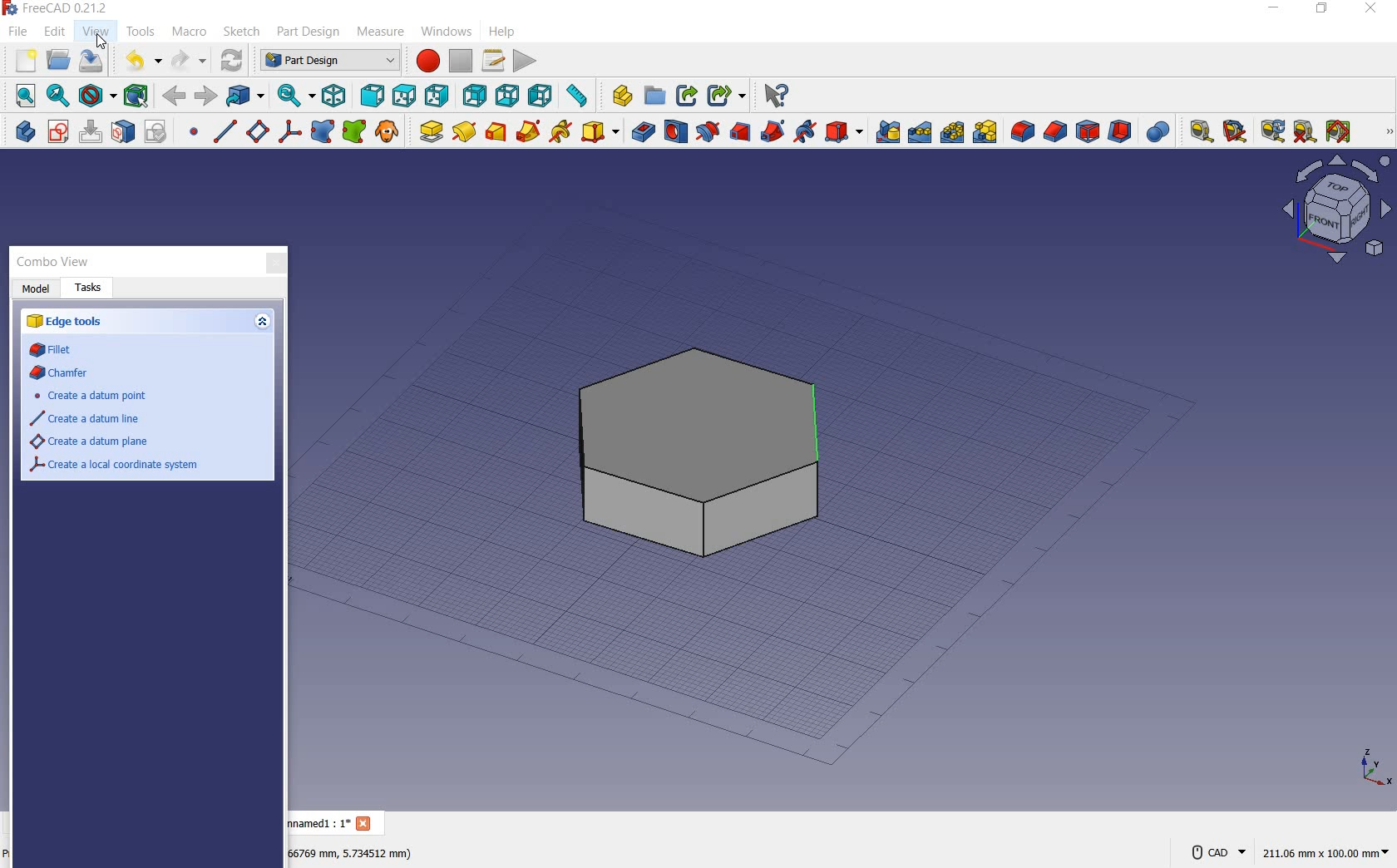  What do you see at coordinates (366, 825) in the screenshot?
I see `Close` at bounding box center [366, 825].